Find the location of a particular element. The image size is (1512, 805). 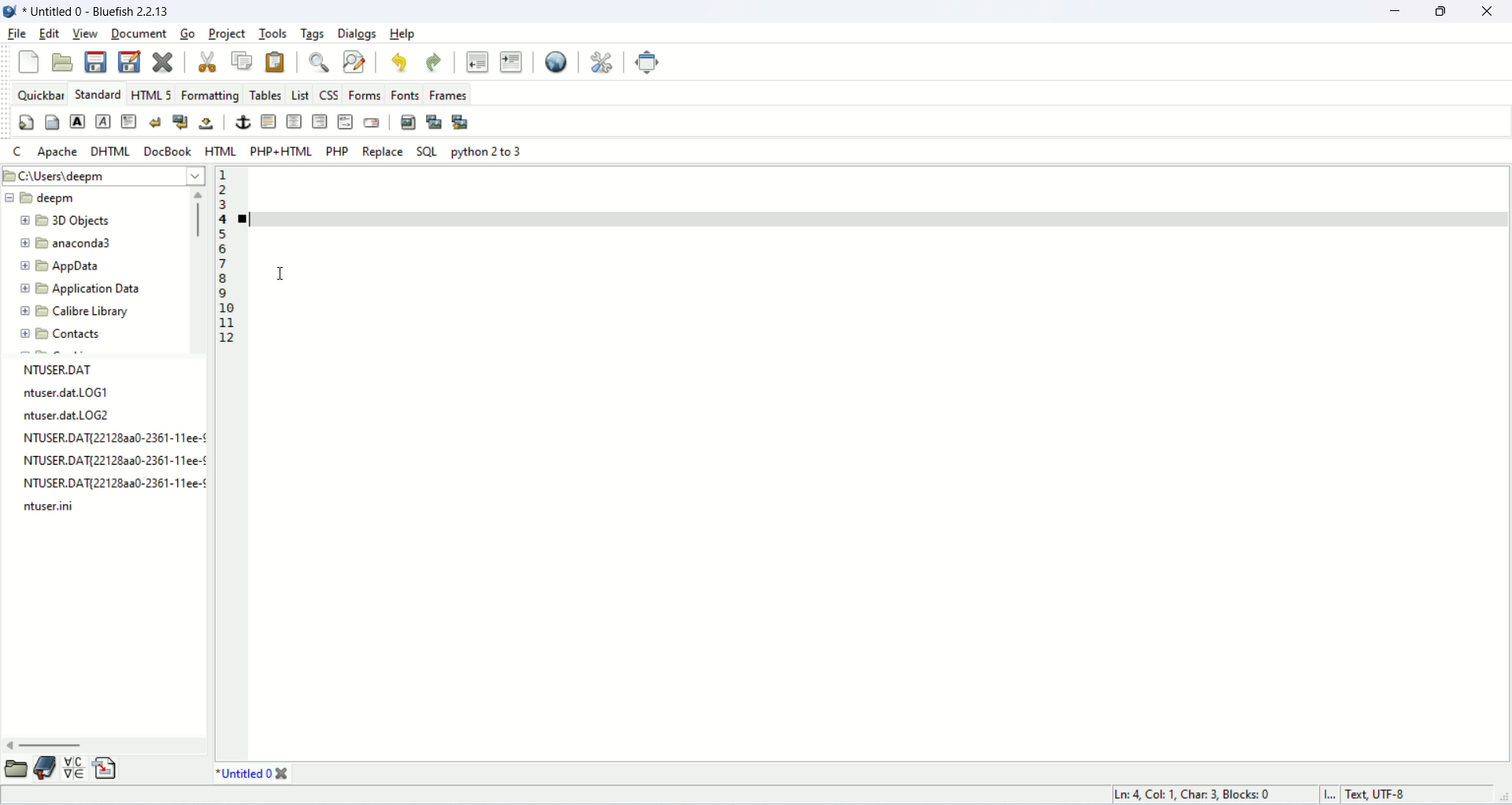

non breaking space is located at coordinates (209, 123).